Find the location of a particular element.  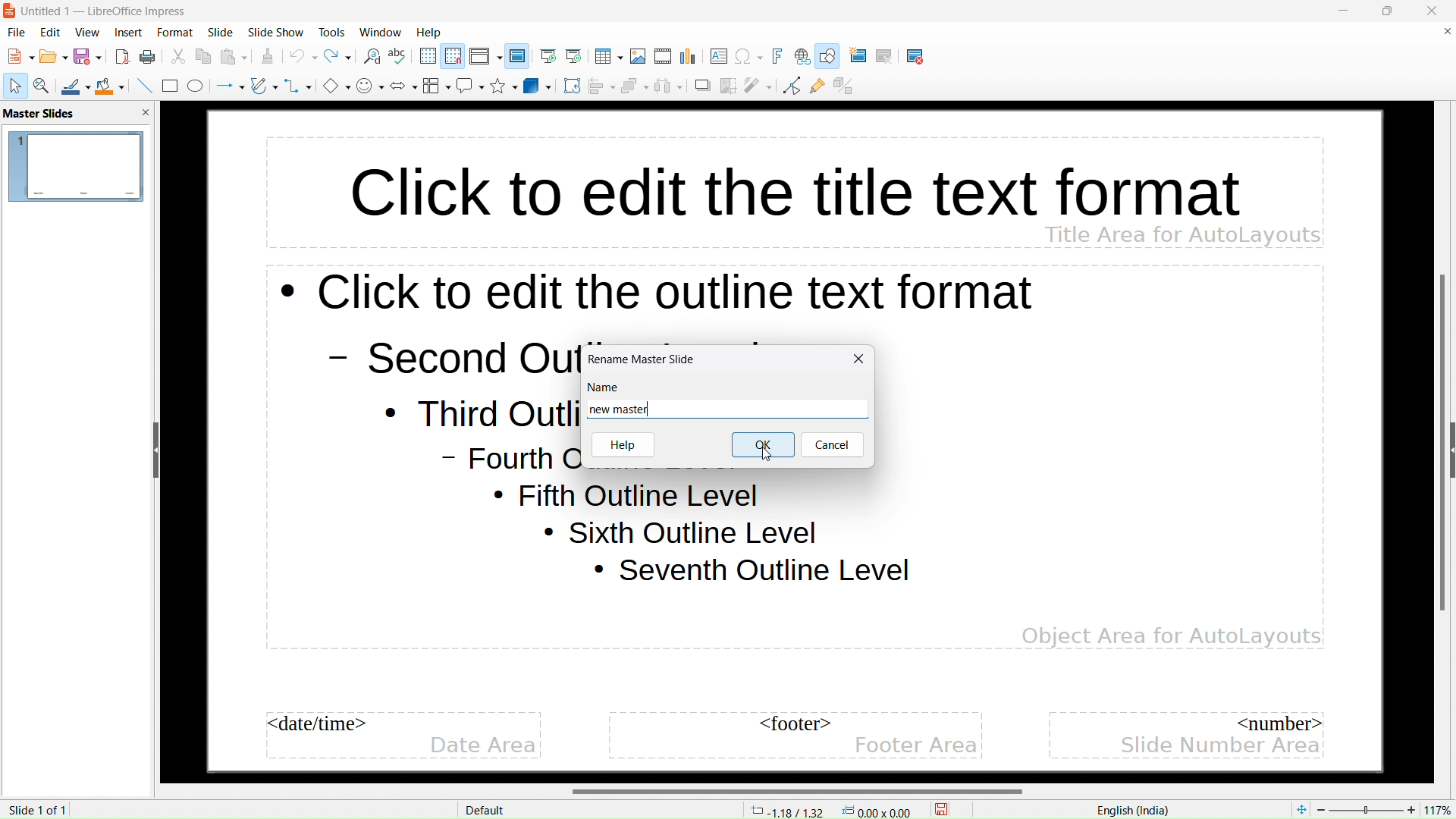

minimize is located at coordinates (1344, 11).